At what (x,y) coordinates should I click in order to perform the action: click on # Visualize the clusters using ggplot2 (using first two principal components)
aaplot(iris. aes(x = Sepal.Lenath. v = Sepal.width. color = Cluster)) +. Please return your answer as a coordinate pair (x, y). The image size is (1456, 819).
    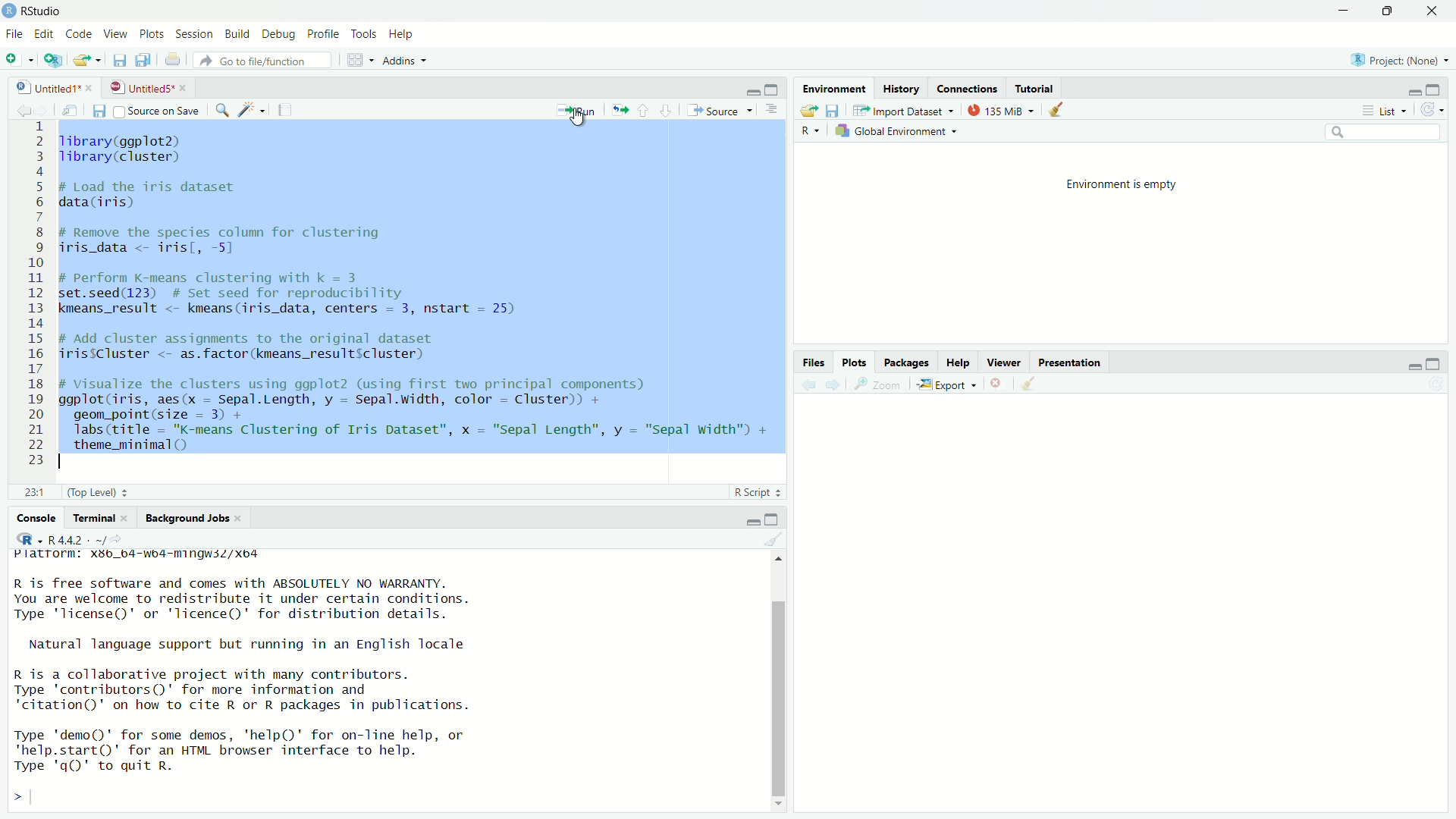
    Looking at the image, I should click on (382, 392).